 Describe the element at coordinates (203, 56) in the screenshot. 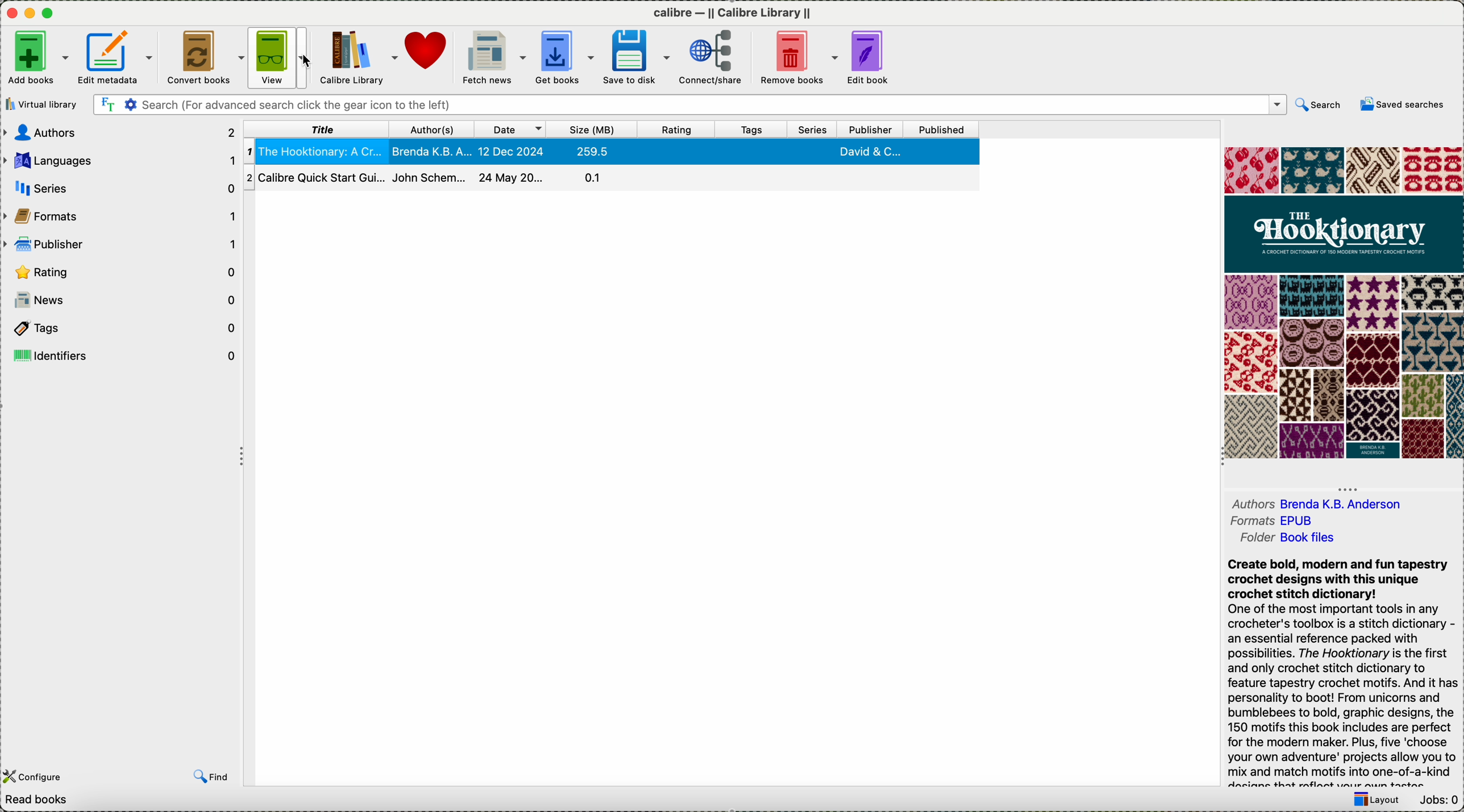

I see `convert books` at that location.